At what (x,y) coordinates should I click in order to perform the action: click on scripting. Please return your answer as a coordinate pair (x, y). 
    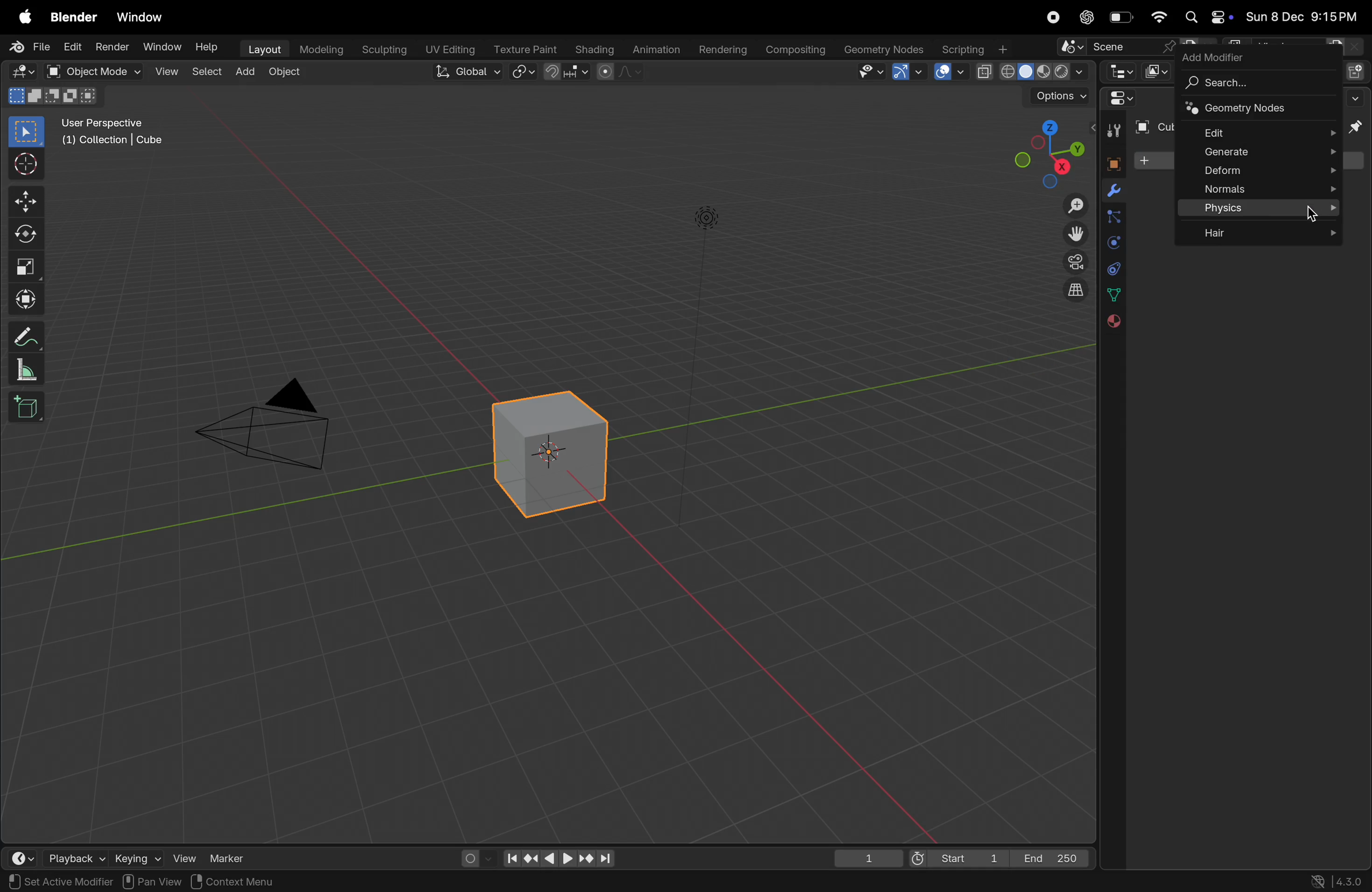
    Looking at the image, I should click on (973, 50).